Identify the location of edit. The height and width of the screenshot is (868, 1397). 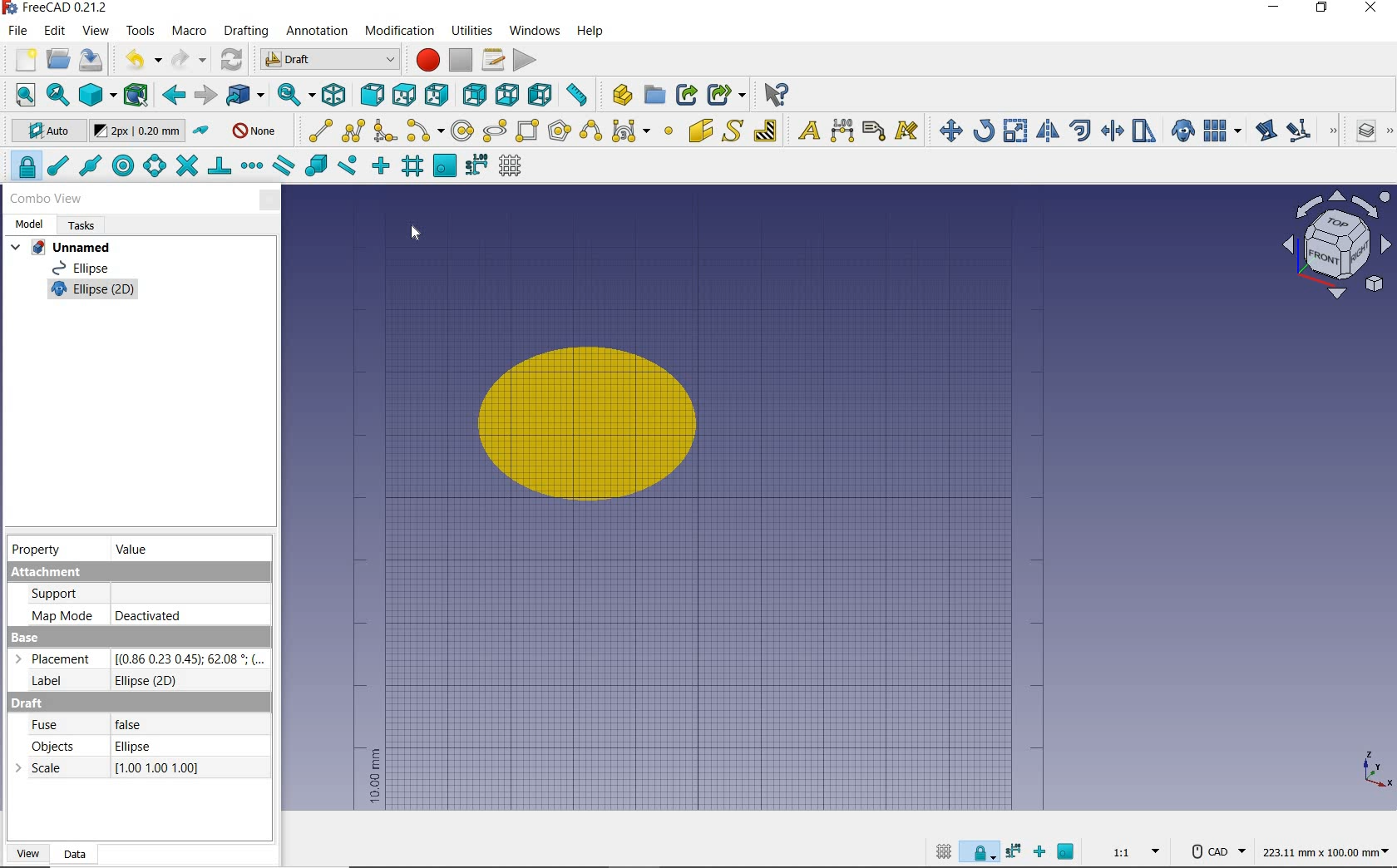
(1265, 130).